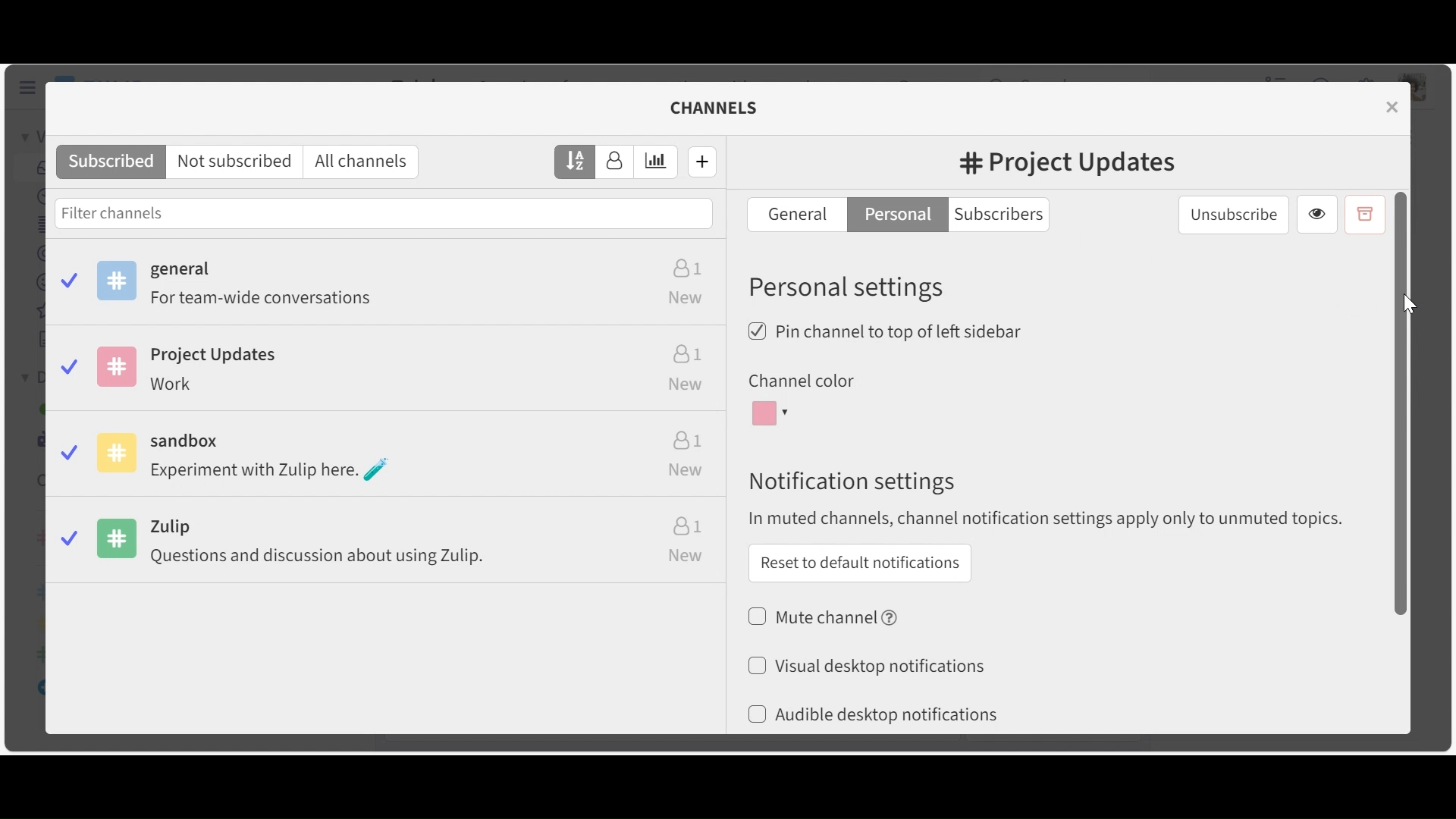  What do you see at coordinates (1399, 403) in the screenshot?
I see `Vertical Scroll bar` at bounding box center [1399, 403].